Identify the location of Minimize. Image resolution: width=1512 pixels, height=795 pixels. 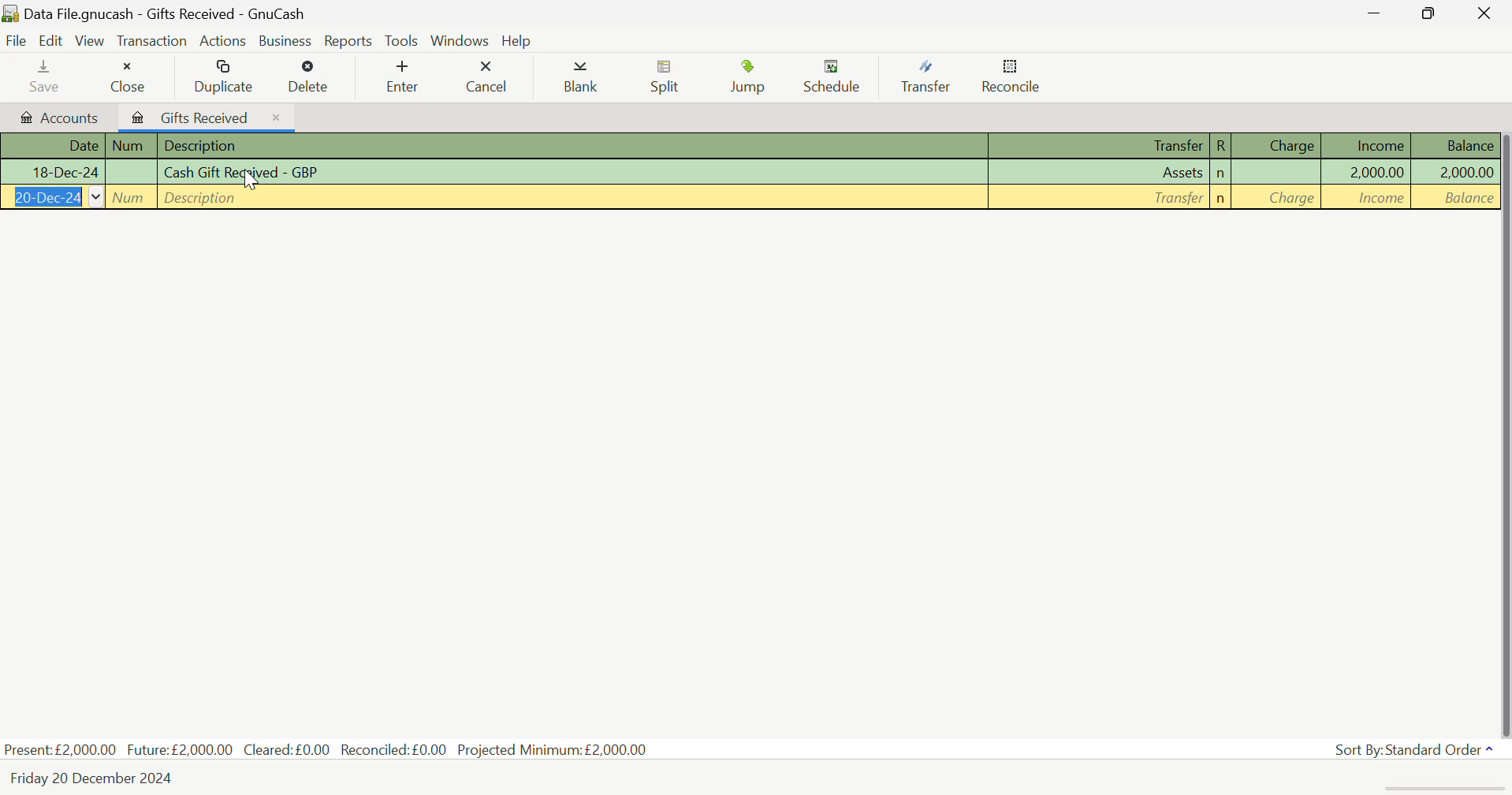
(1434, 13).